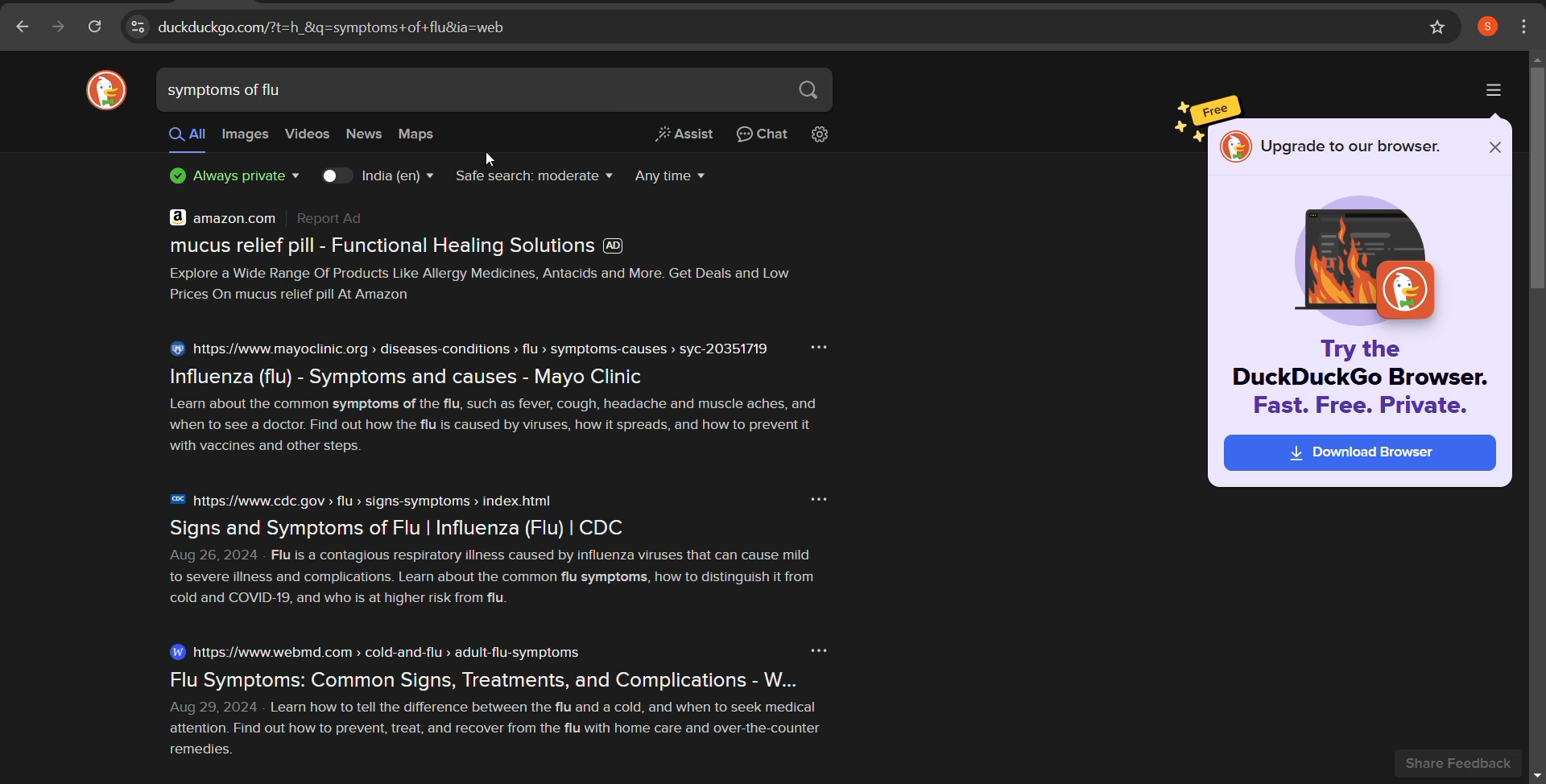  Describe the element at coordinates (1536, 181) in the screenshot. I see `vertical scroll bar` at that location.